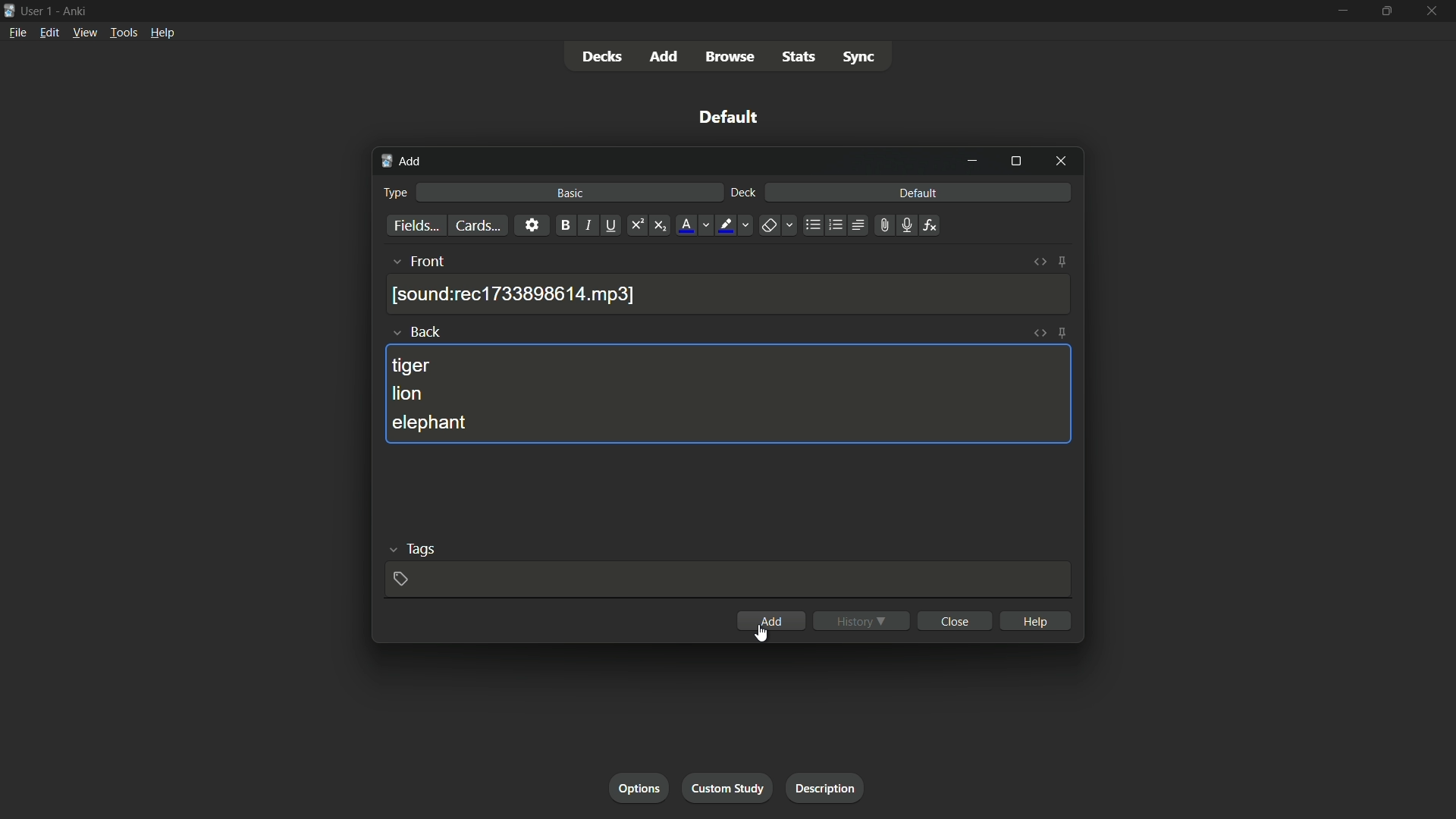 The image size is (1456, 819). Describe the element at coordinates (685, 225) in the screenshot. I see `font color` at that location.